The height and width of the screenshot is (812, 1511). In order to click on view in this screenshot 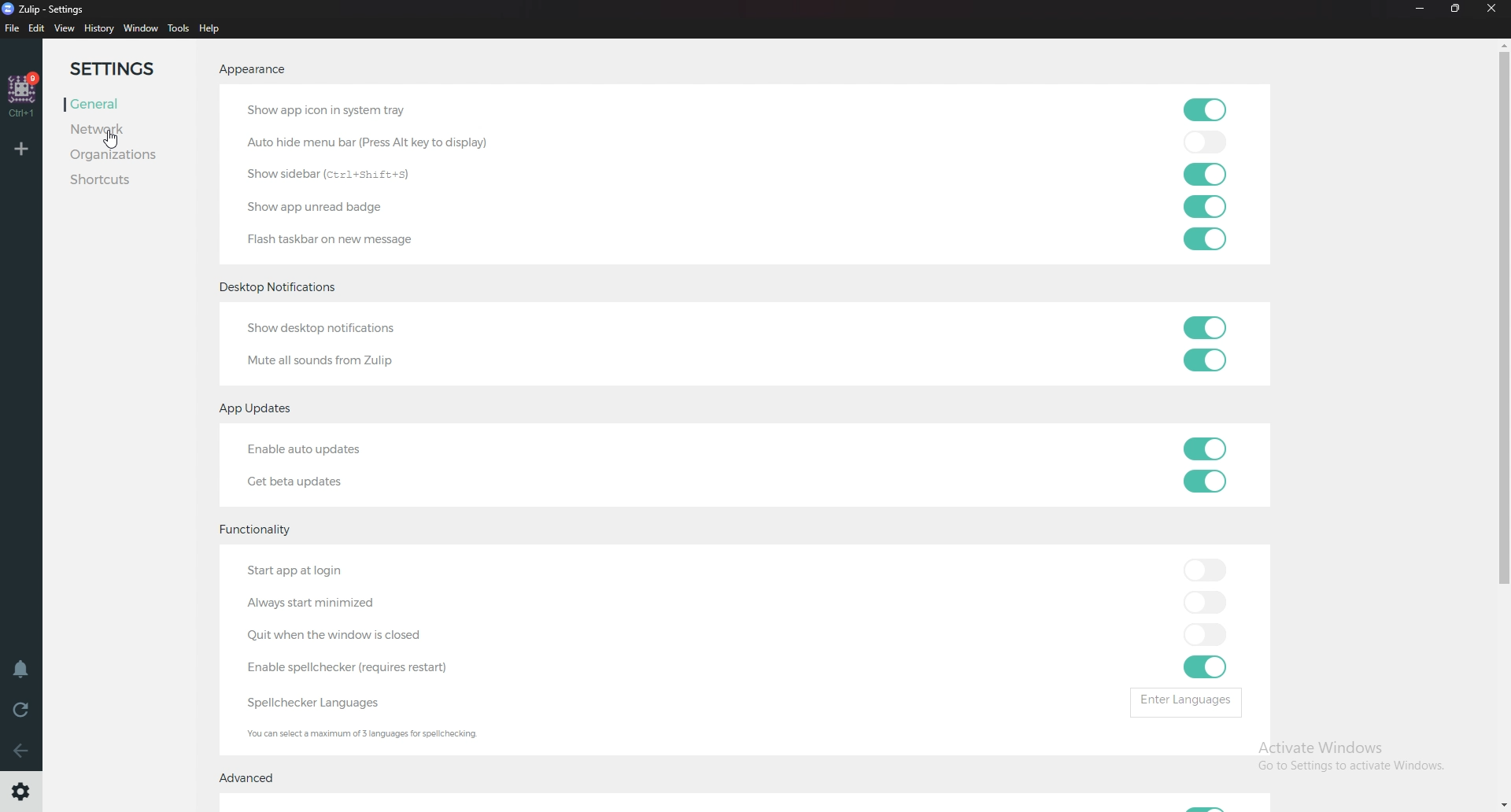, I will do `click(65, 29)`.